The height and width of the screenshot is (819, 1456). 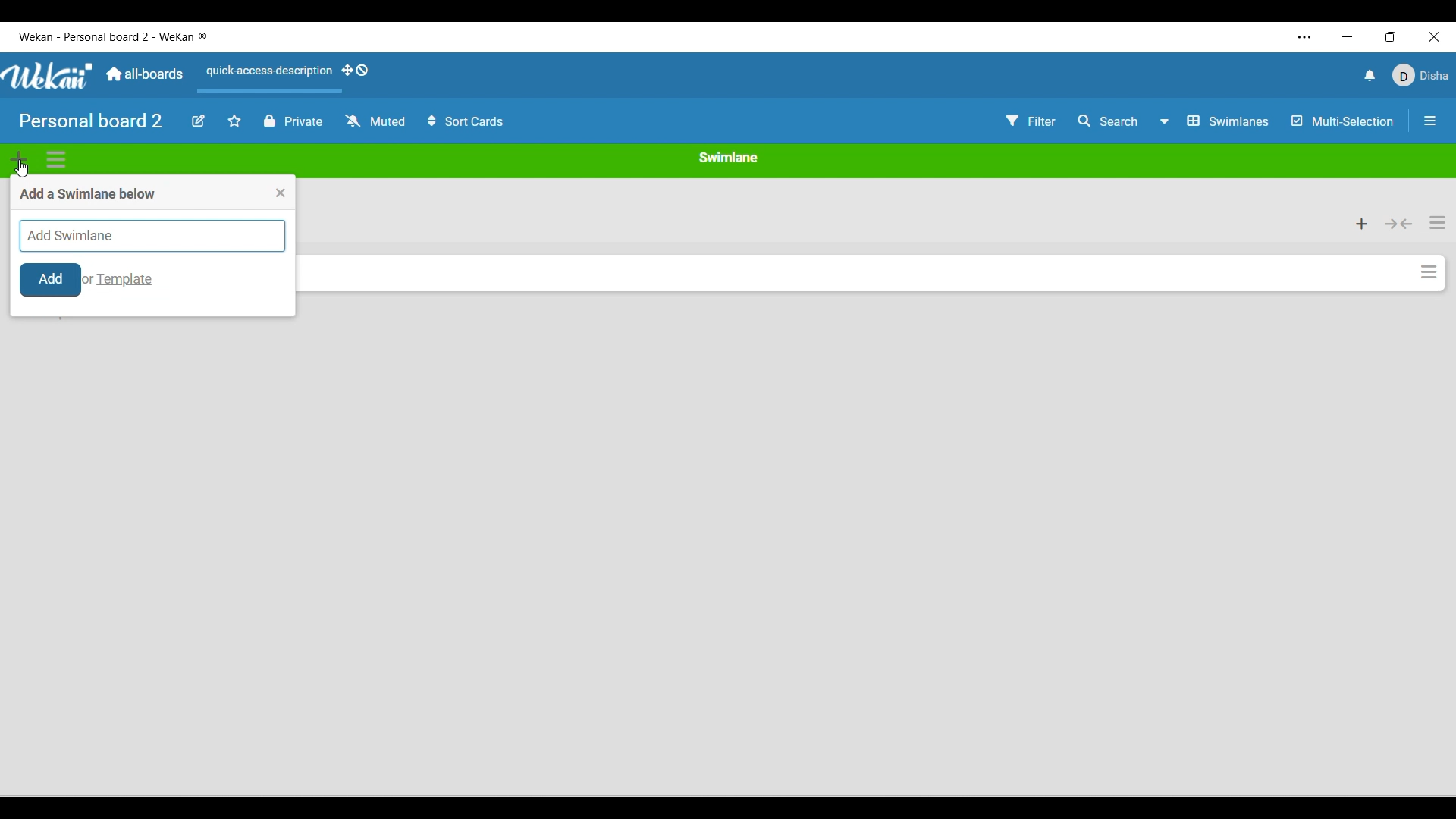 I want to click on Board privacy toggle, so click(x=294, y=121).